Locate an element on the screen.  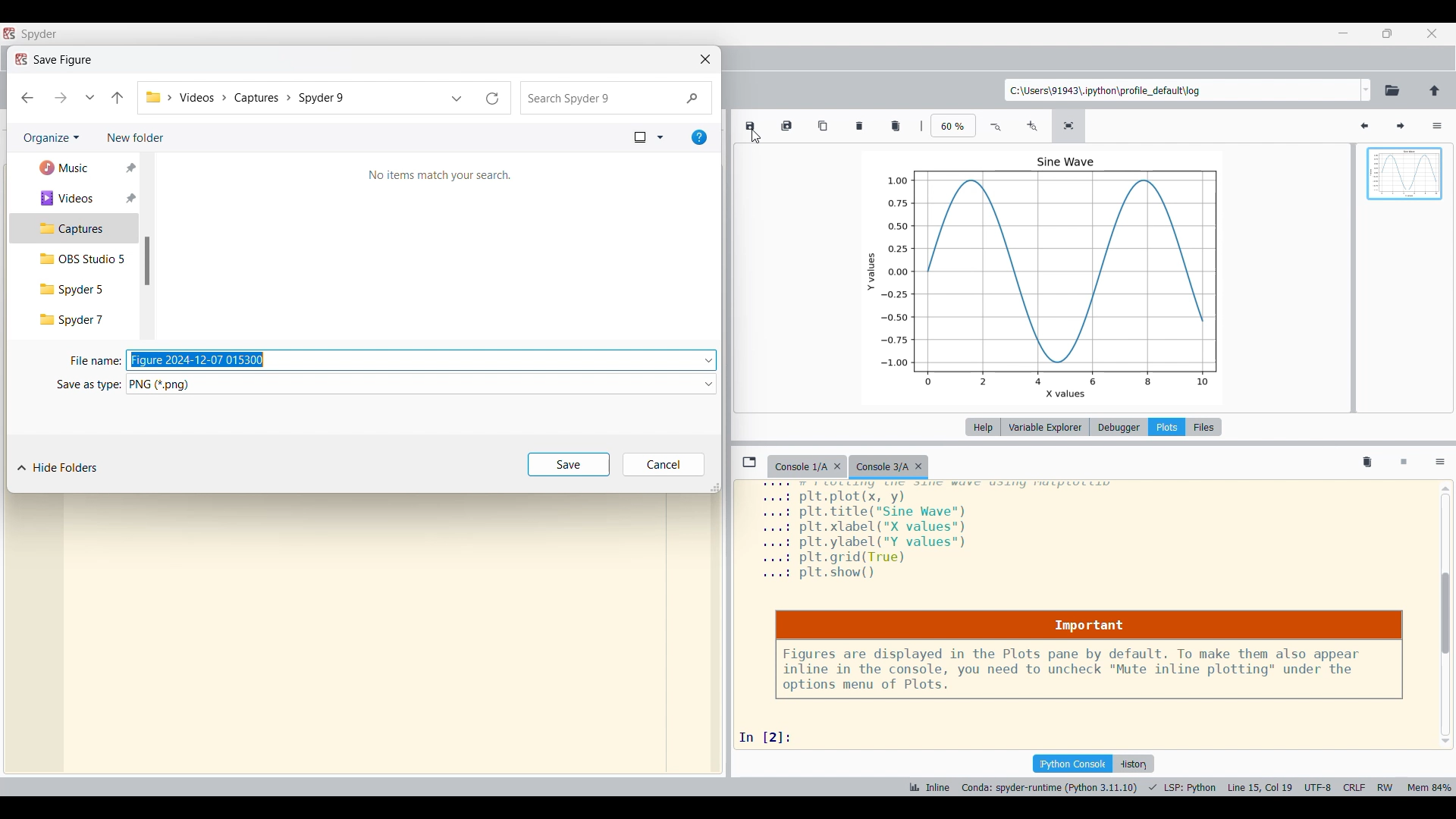
Next plot is located at coordinates (1400, 127).